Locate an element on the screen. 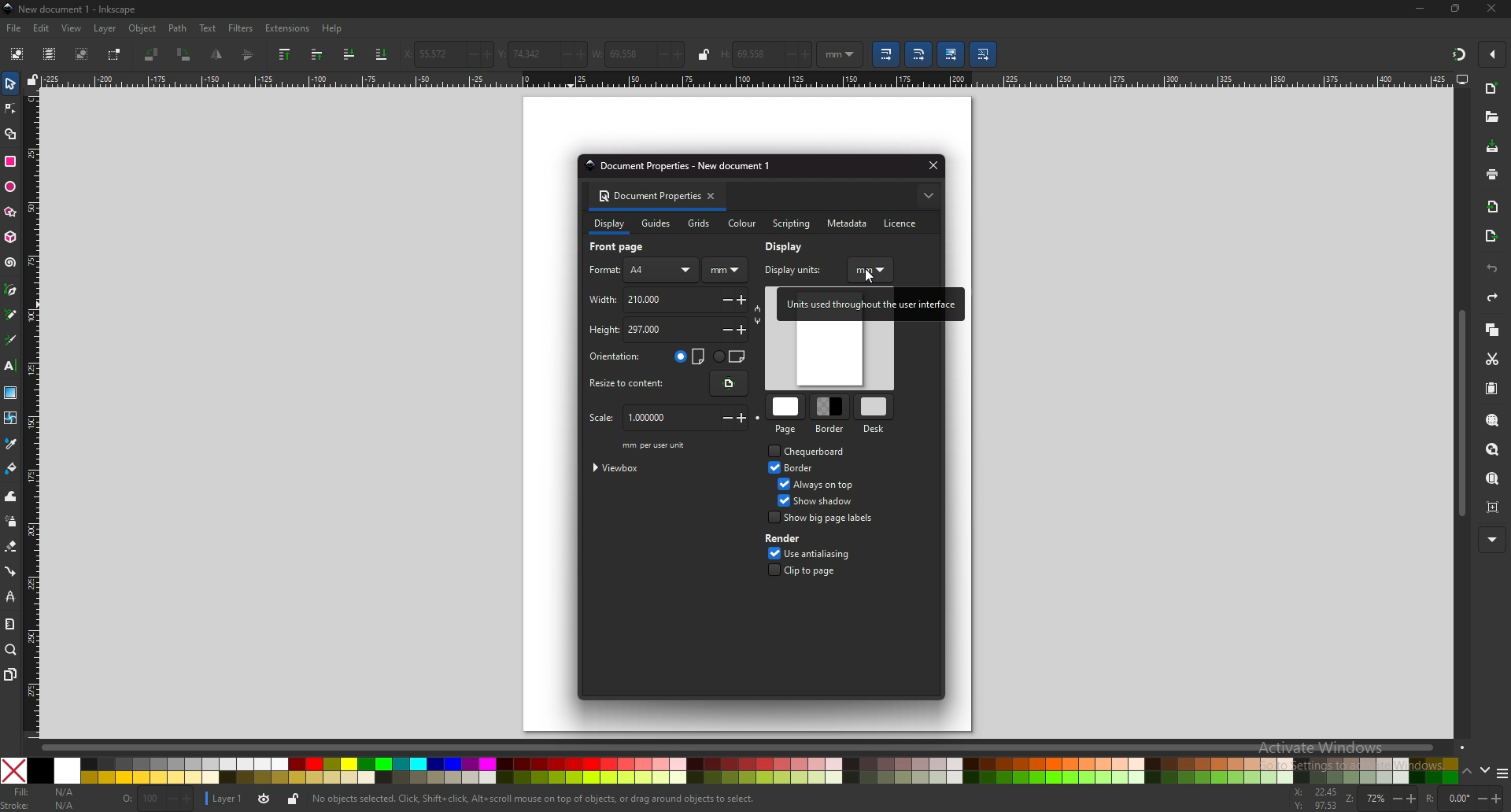  current layer visibility is located at coordinates (264, 801).